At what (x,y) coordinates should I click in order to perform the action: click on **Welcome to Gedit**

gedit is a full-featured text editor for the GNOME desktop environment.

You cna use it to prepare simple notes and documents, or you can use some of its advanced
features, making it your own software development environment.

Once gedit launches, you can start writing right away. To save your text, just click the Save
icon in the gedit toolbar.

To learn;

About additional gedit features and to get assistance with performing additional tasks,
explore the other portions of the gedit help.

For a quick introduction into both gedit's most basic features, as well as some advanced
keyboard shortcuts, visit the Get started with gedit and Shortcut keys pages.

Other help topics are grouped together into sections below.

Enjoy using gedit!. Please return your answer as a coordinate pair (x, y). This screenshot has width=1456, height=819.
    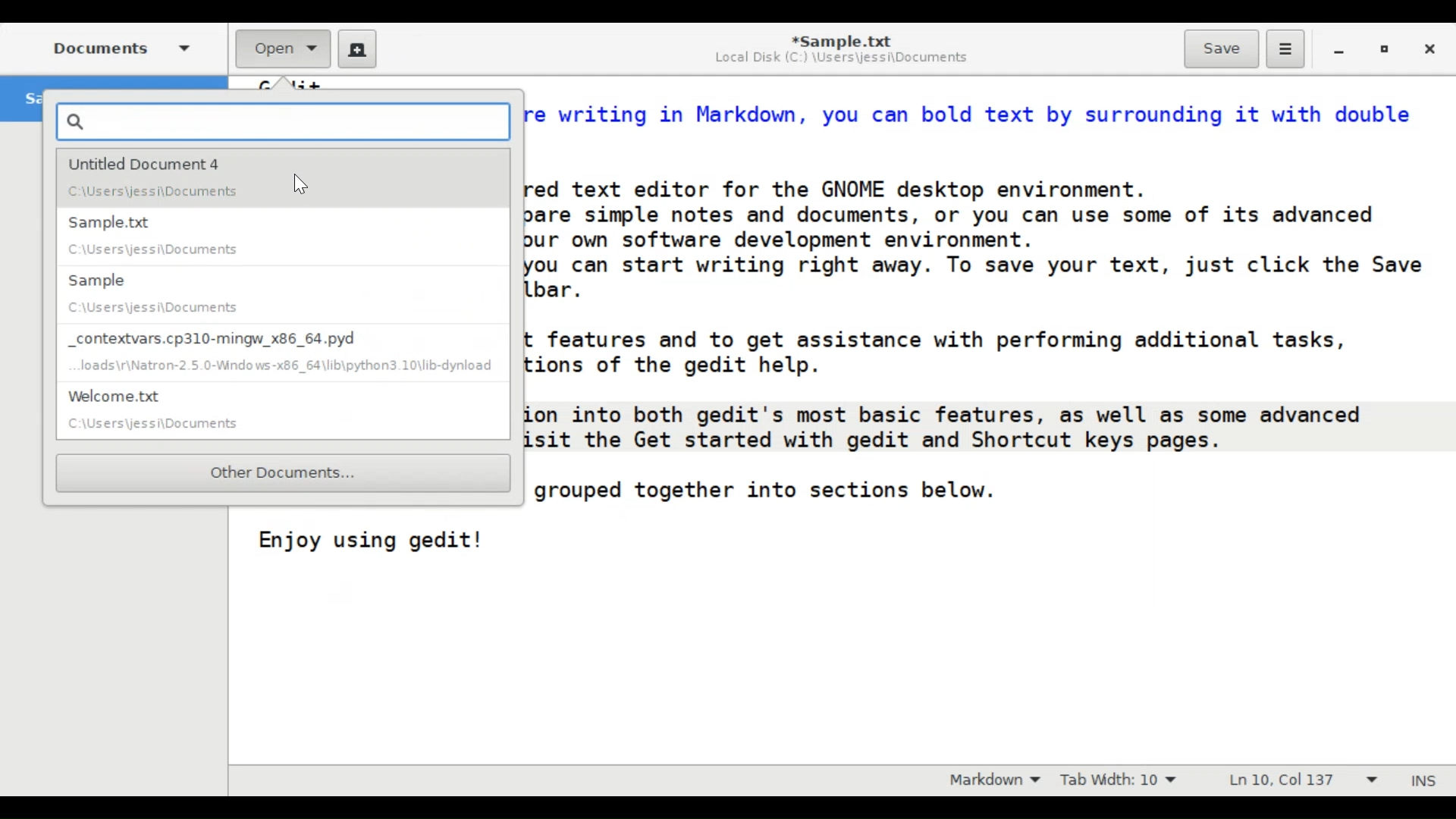
    Looking at the image, I should click on (992, 344).